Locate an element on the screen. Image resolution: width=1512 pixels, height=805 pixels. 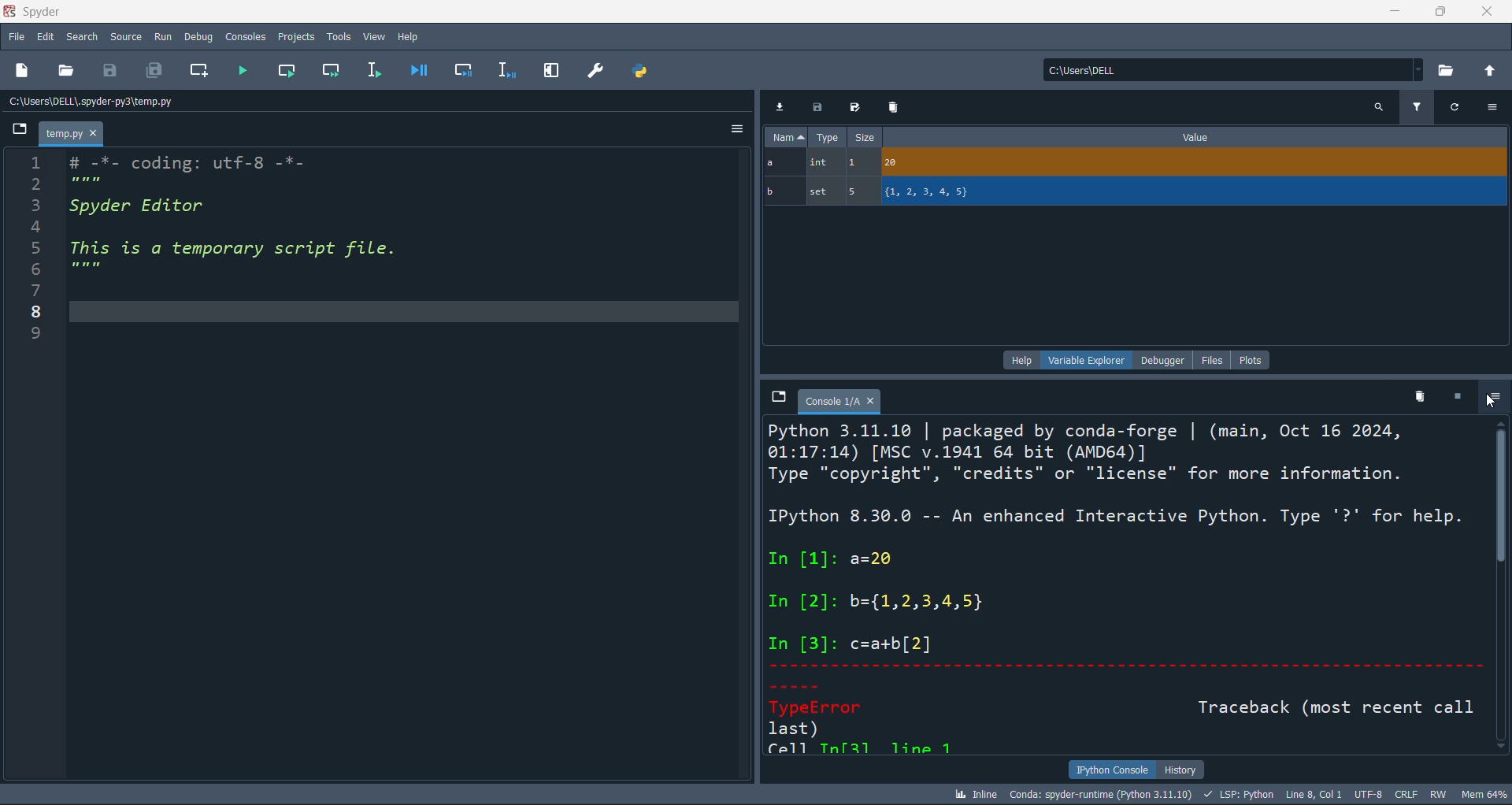
consoles is located at coordinates (243, 35).